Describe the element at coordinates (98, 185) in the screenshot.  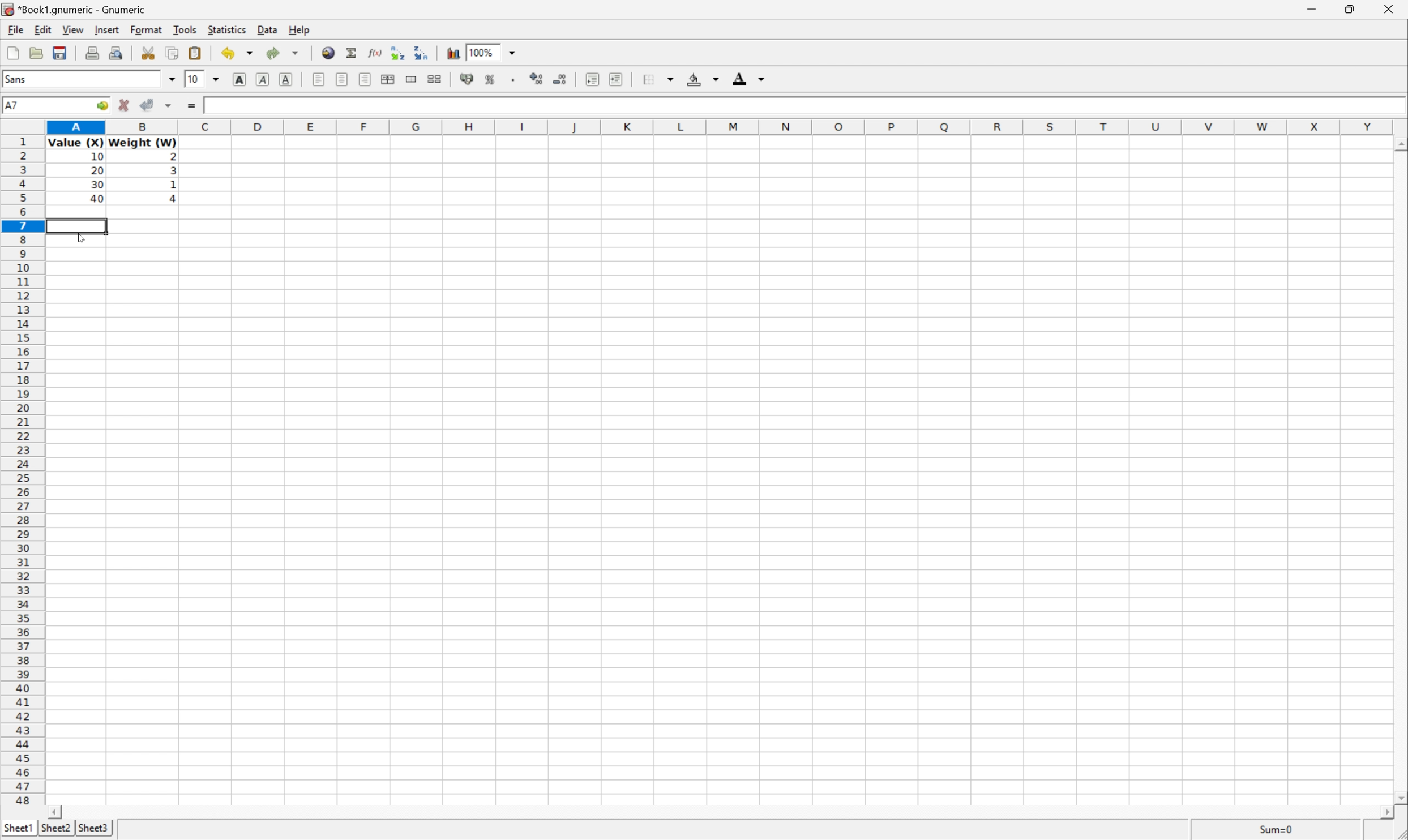
I see `30` at that location.